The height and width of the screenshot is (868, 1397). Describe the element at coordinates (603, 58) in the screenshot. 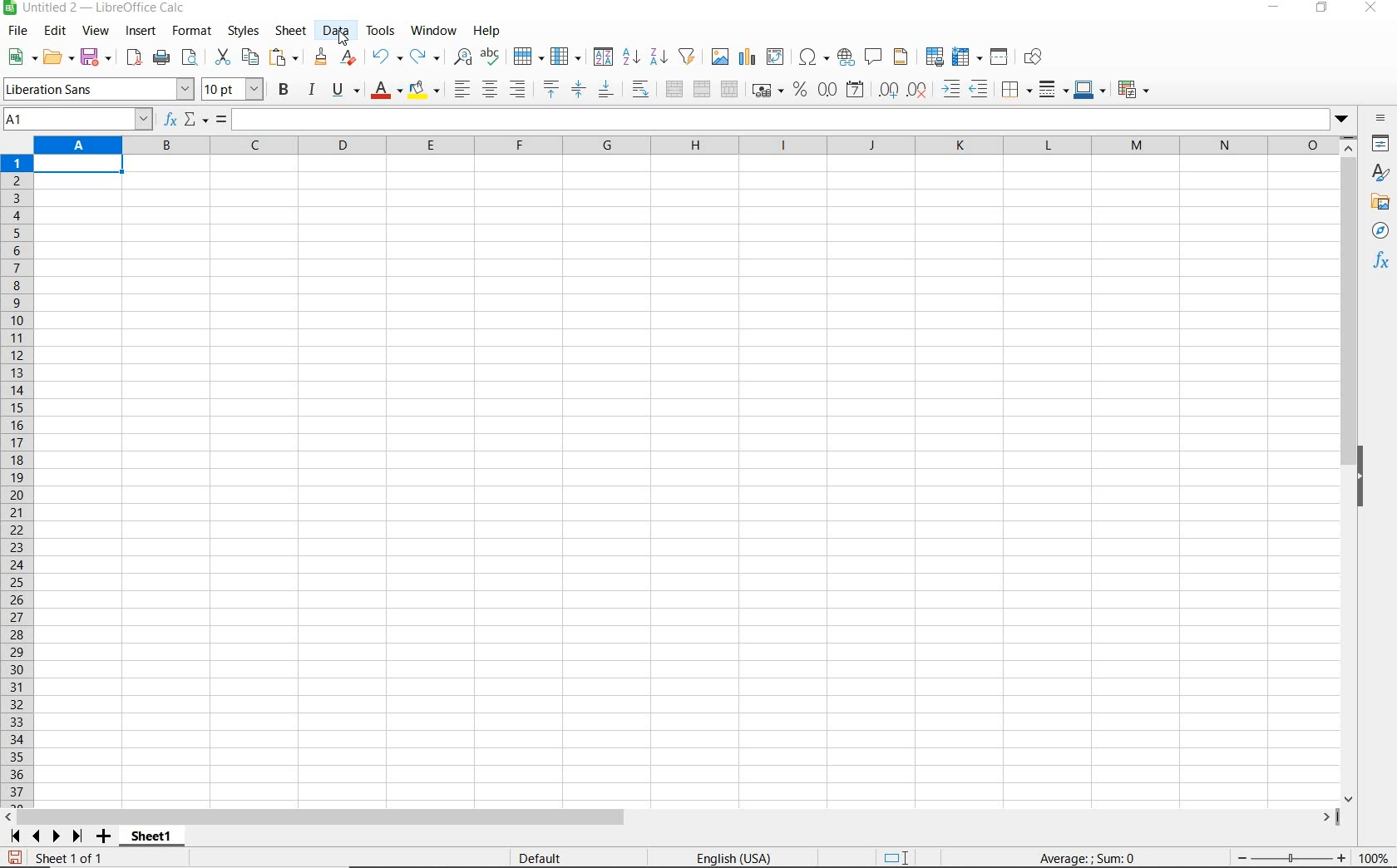

I see `sort` at that location.